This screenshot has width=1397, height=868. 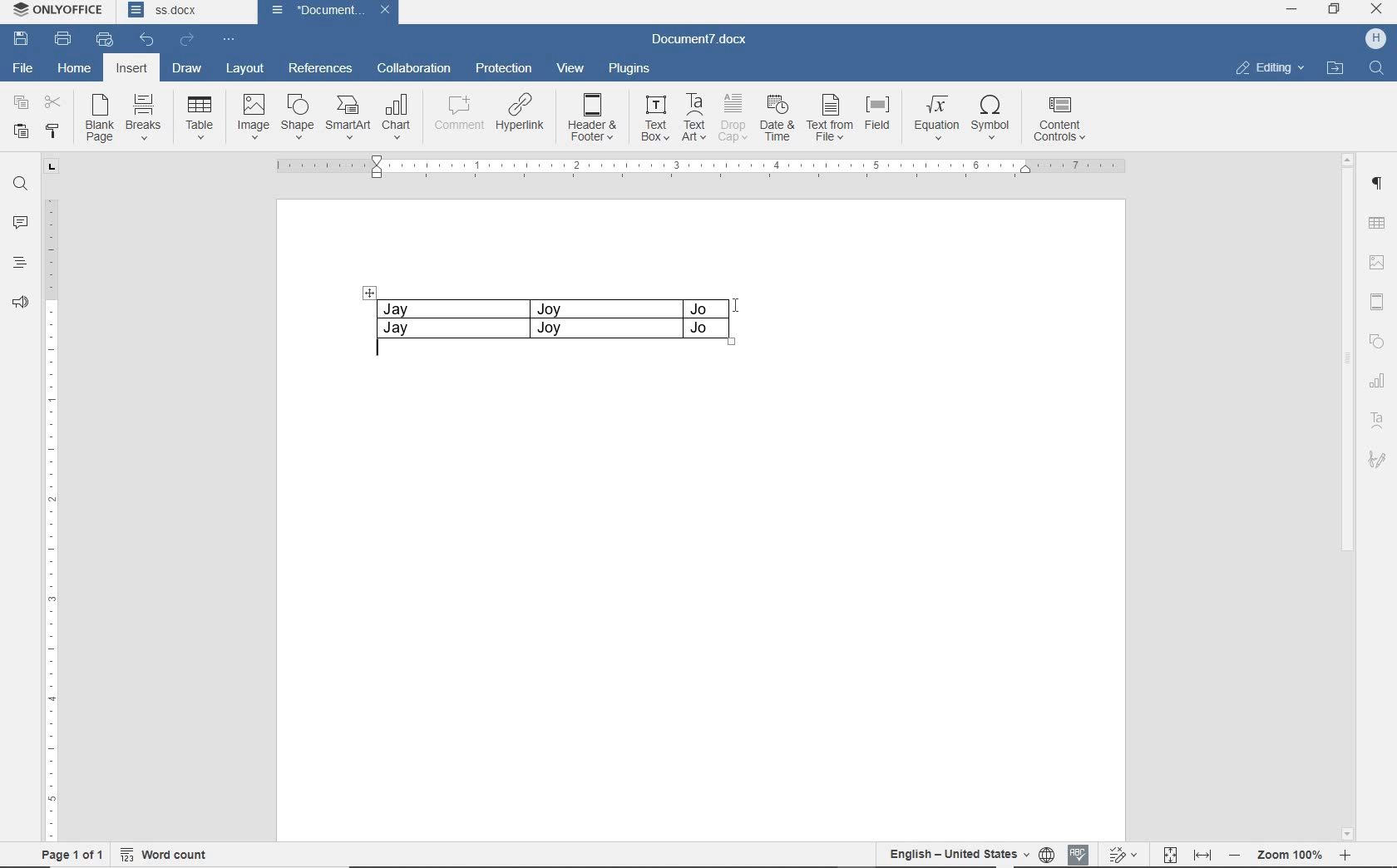 What do you see at coordinates (412, 70) in the screenshot?
I see `COLLABORATION` at bounding box center [412, 70].